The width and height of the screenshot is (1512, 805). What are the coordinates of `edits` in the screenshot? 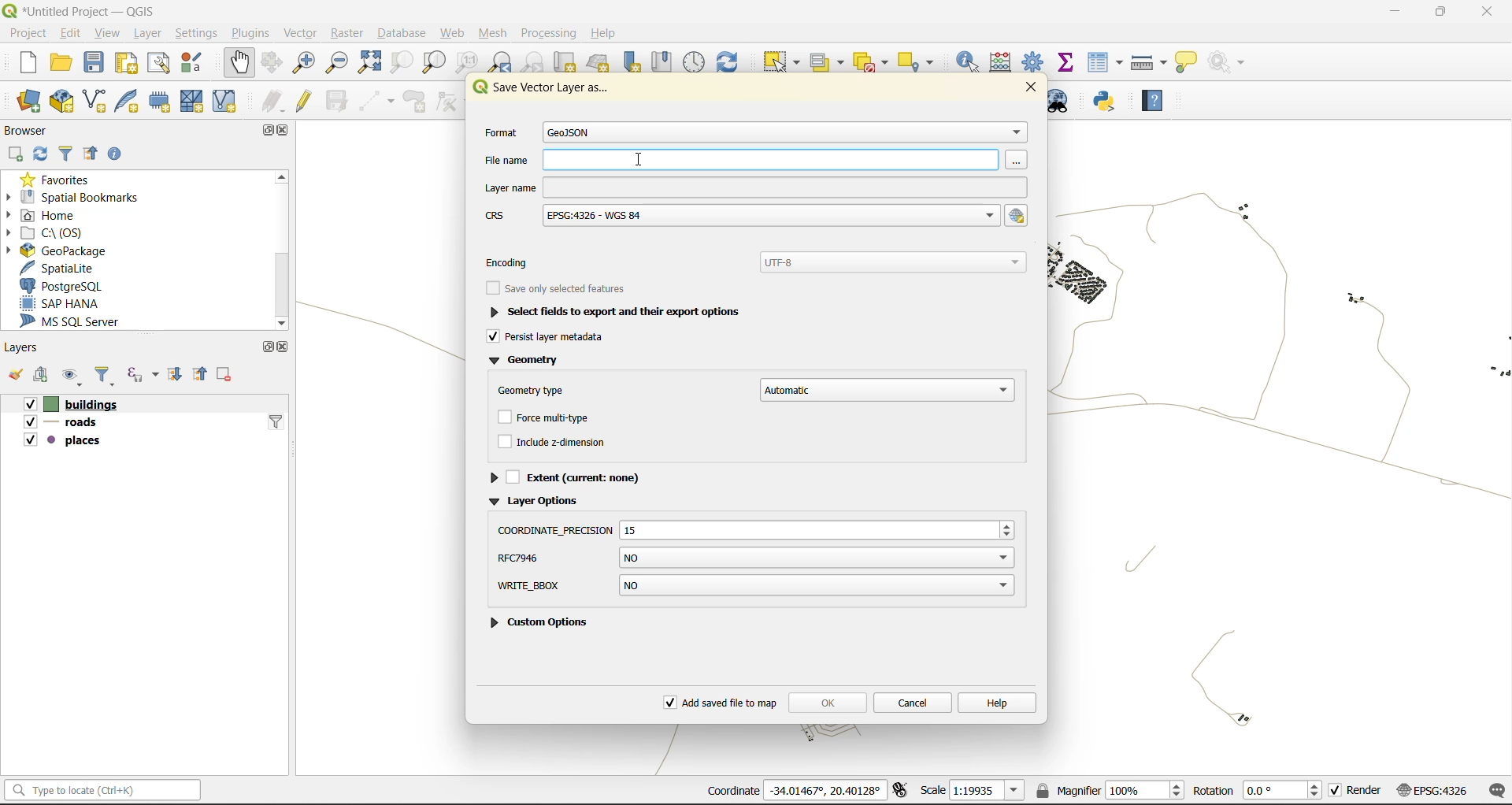 It's located at (273, 99).